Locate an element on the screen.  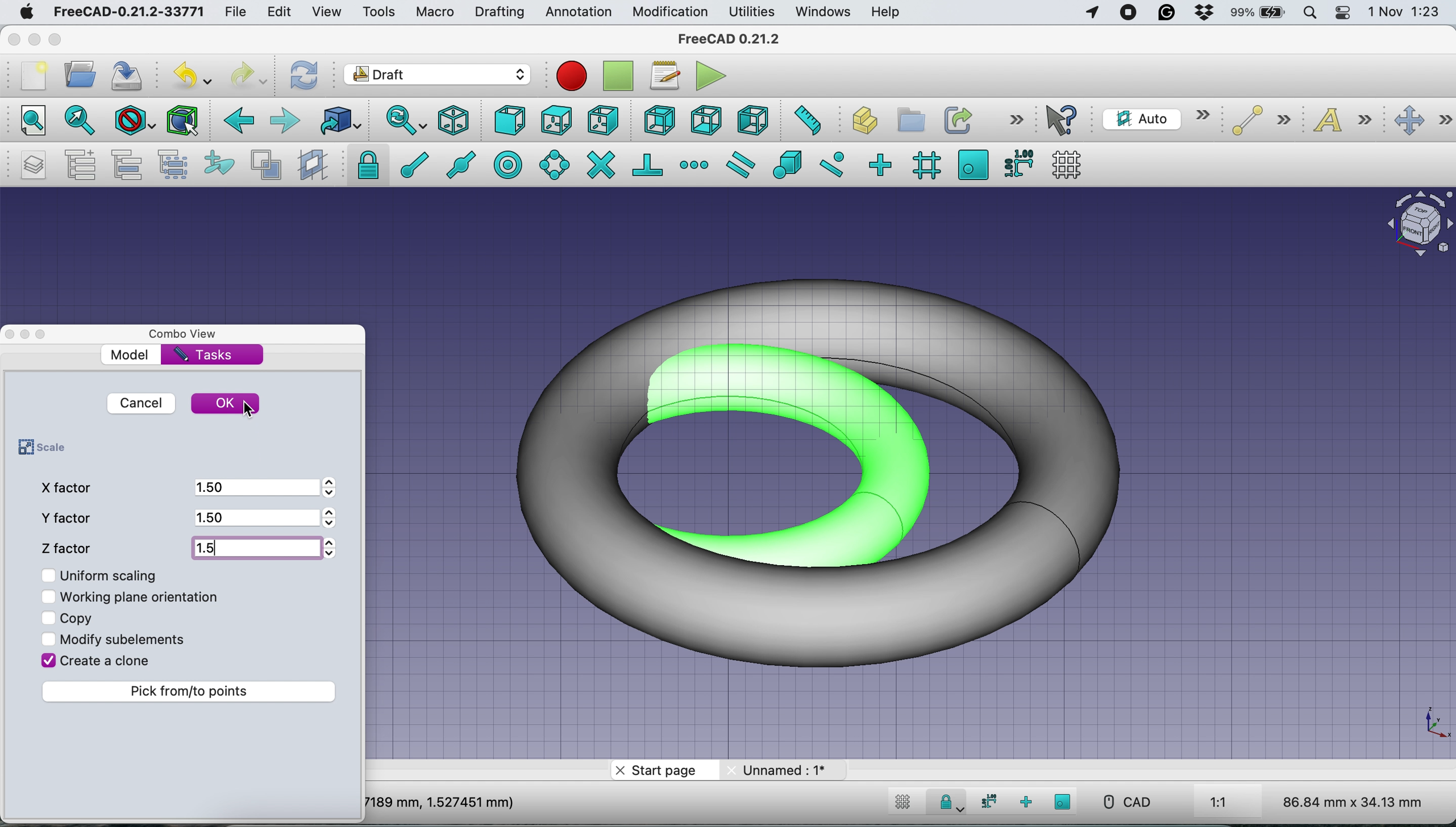
modification is located at coordinates (671, 13).